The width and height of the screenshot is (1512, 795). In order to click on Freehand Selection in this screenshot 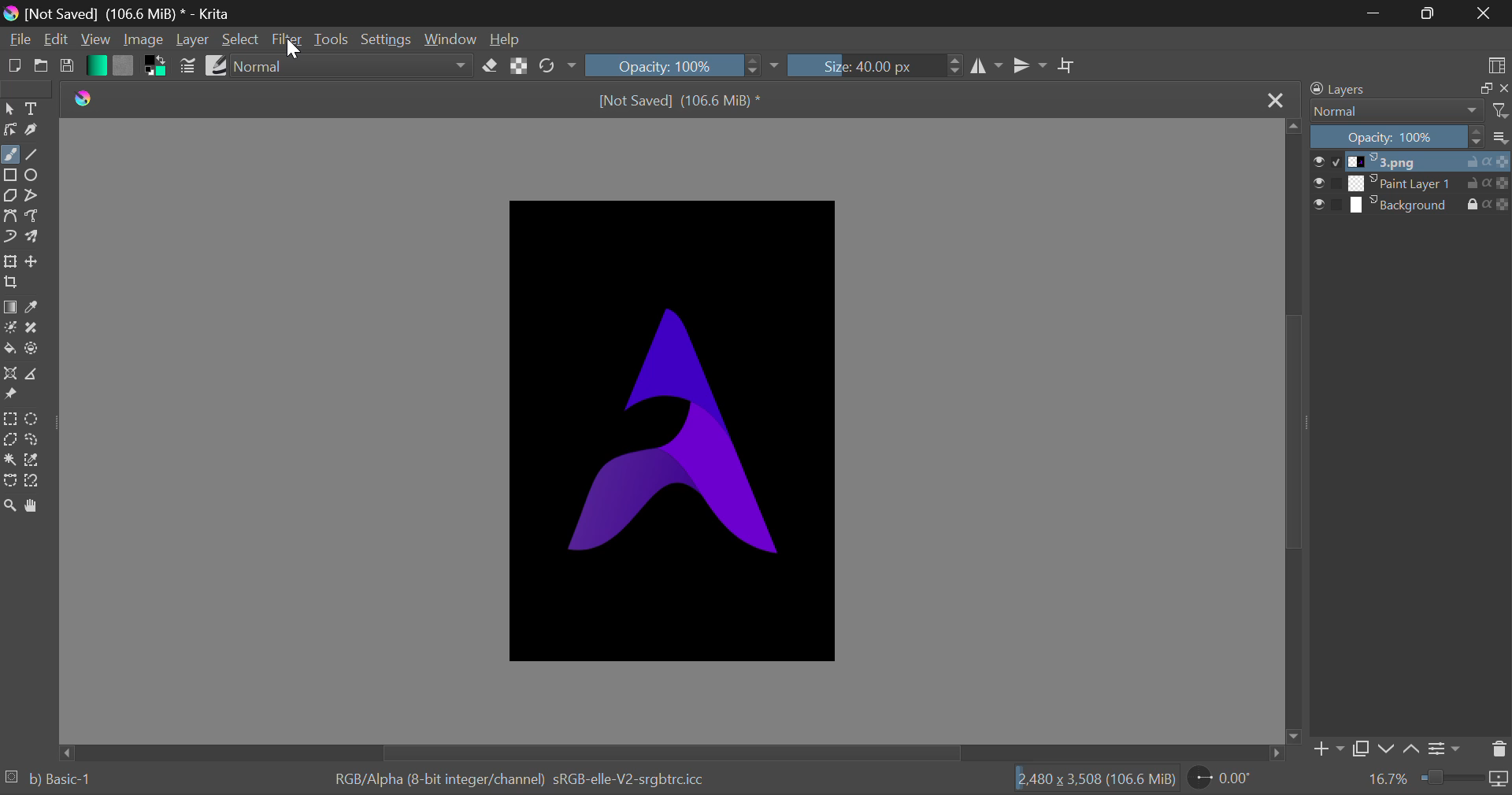, I will do `click(32, 439)`.